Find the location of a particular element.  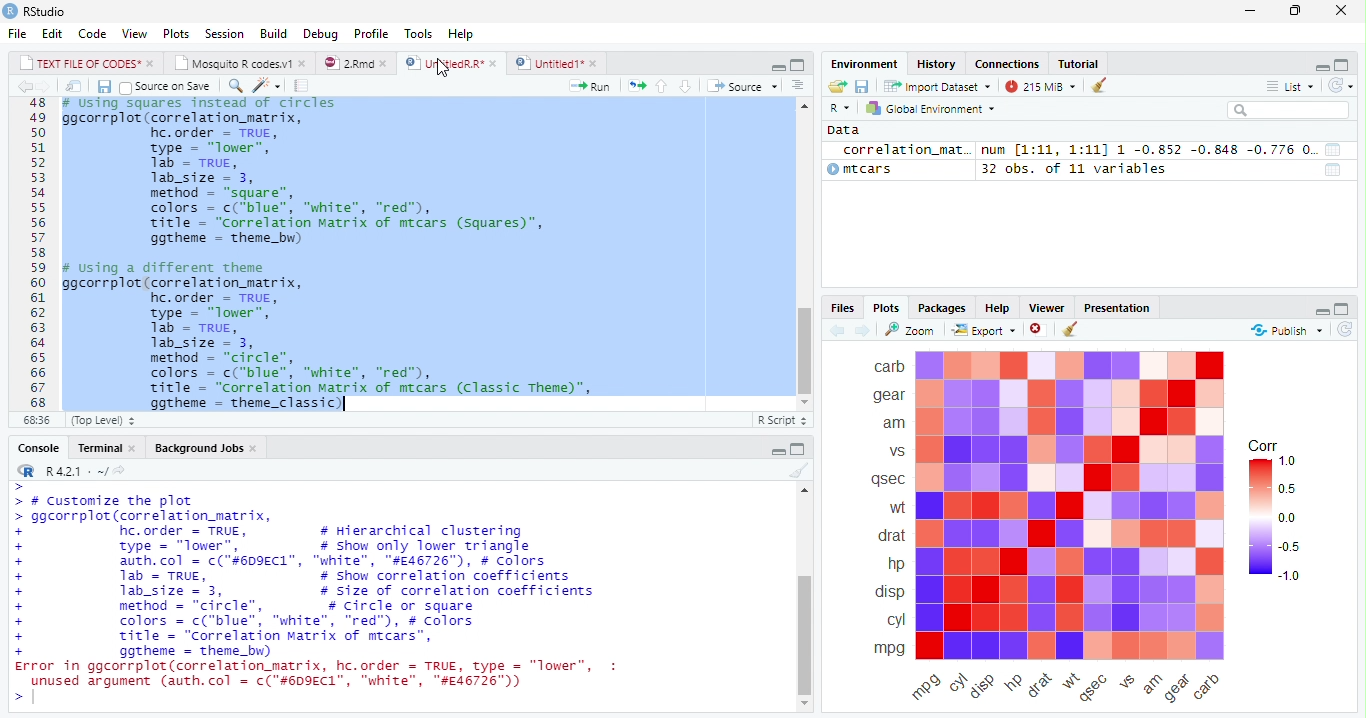

clear current plot is located at coordinates (1034, 330).